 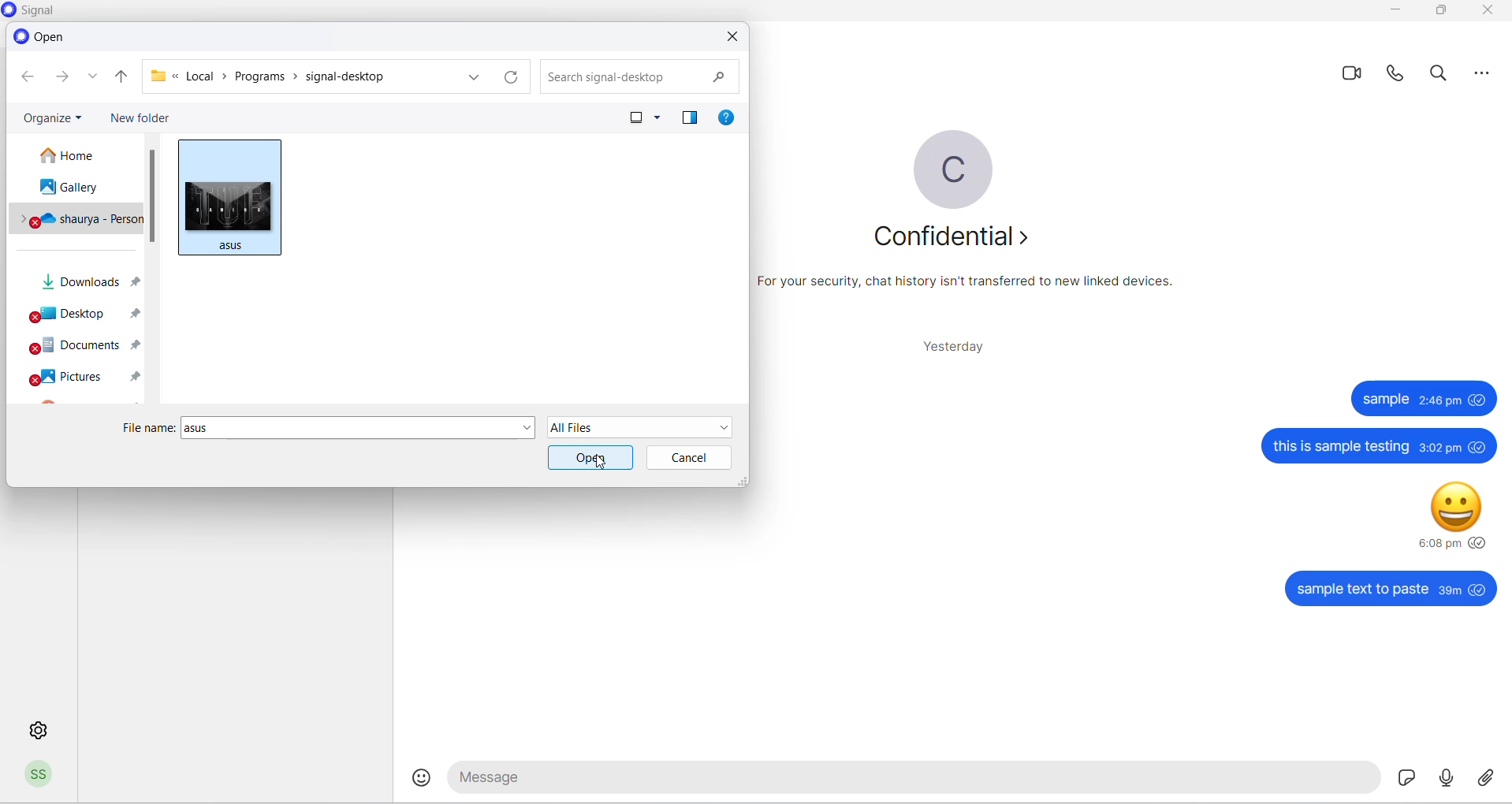 What do you see at coordinates (53, 115) in the screenshot?
I see `organize` at bounding box center [53, 115].